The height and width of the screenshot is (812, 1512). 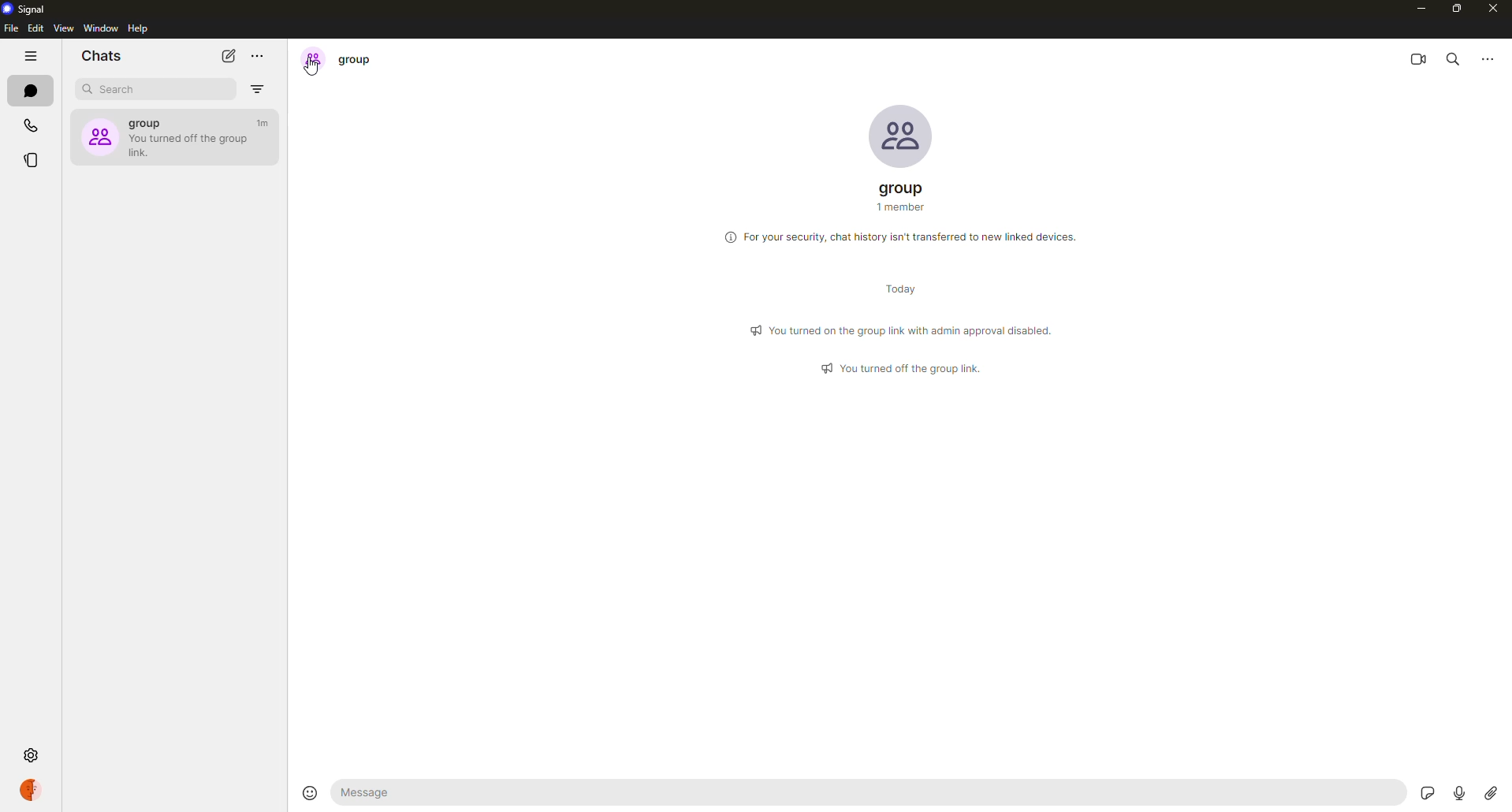 What do you see at coordinates (28, 58) in the screenshot?
I see `hide tabs` at bounding box center [28, 58].